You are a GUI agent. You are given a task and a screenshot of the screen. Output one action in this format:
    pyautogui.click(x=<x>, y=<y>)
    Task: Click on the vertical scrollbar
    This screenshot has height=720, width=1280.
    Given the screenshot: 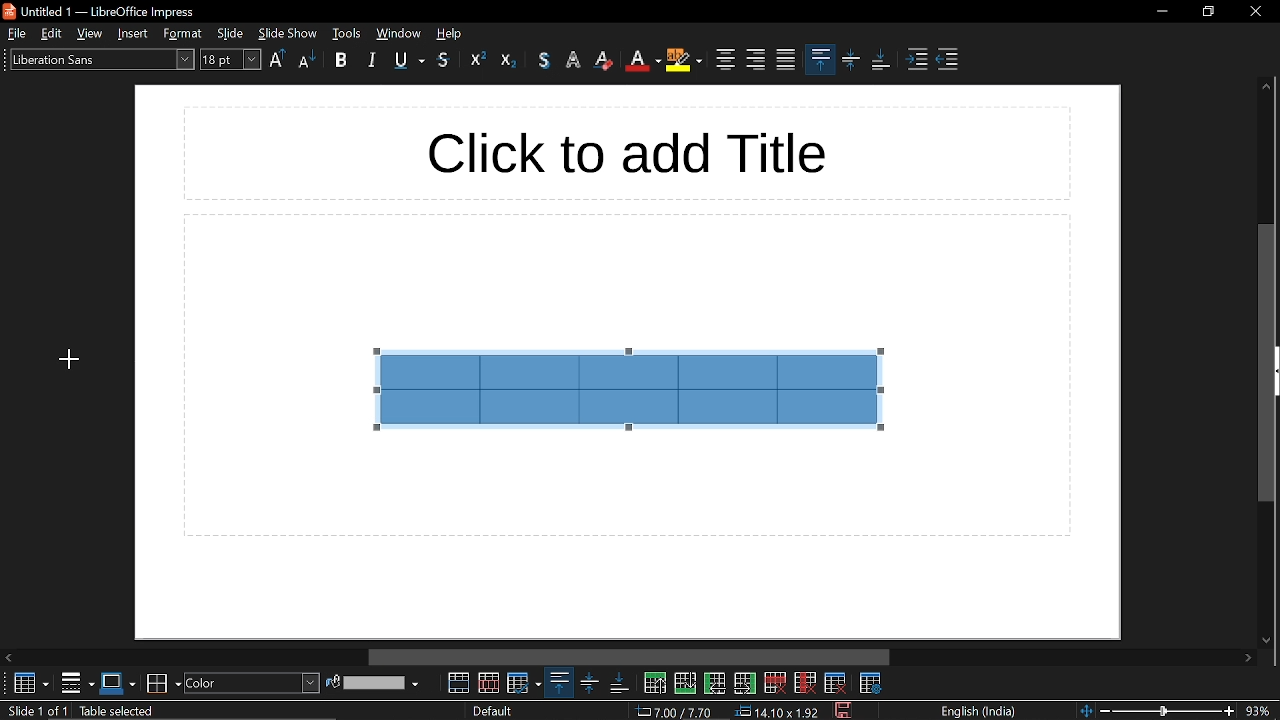 What is the action you would take?
    pyautogui.click(x=1263, y=364)
    